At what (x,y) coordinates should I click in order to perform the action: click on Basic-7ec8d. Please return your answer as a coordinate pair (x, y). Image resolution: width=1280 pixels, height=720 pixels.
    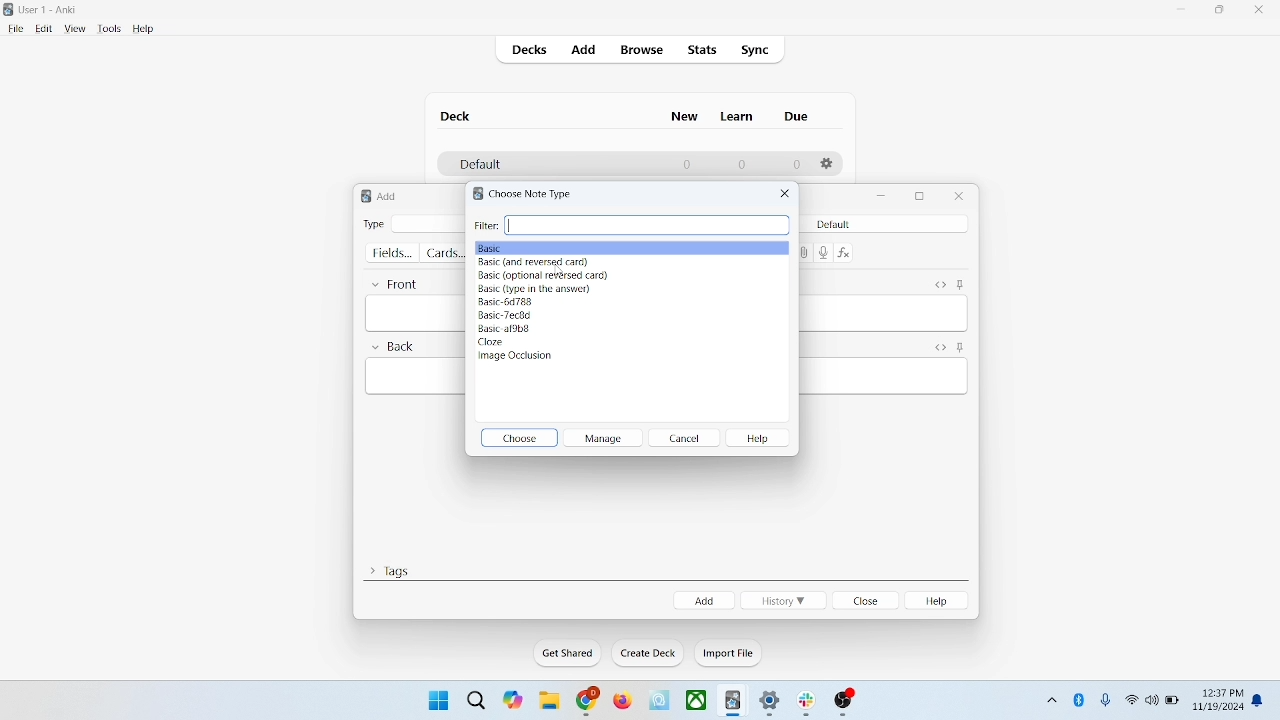
    Looking at the image, I should click on (509, 315).